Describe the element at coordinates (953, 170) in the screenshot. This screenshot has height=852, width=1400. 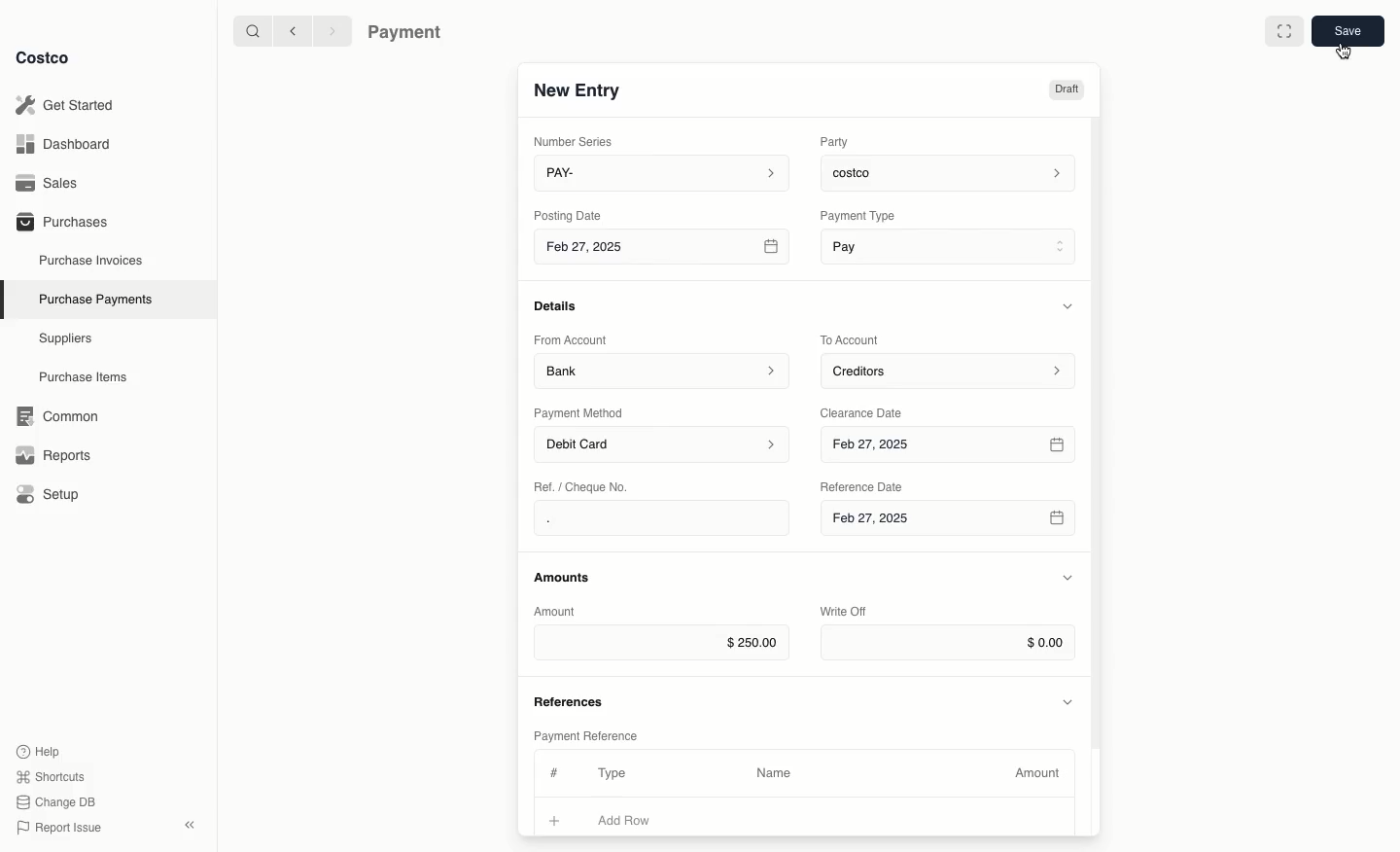
I see `costco` at that location.